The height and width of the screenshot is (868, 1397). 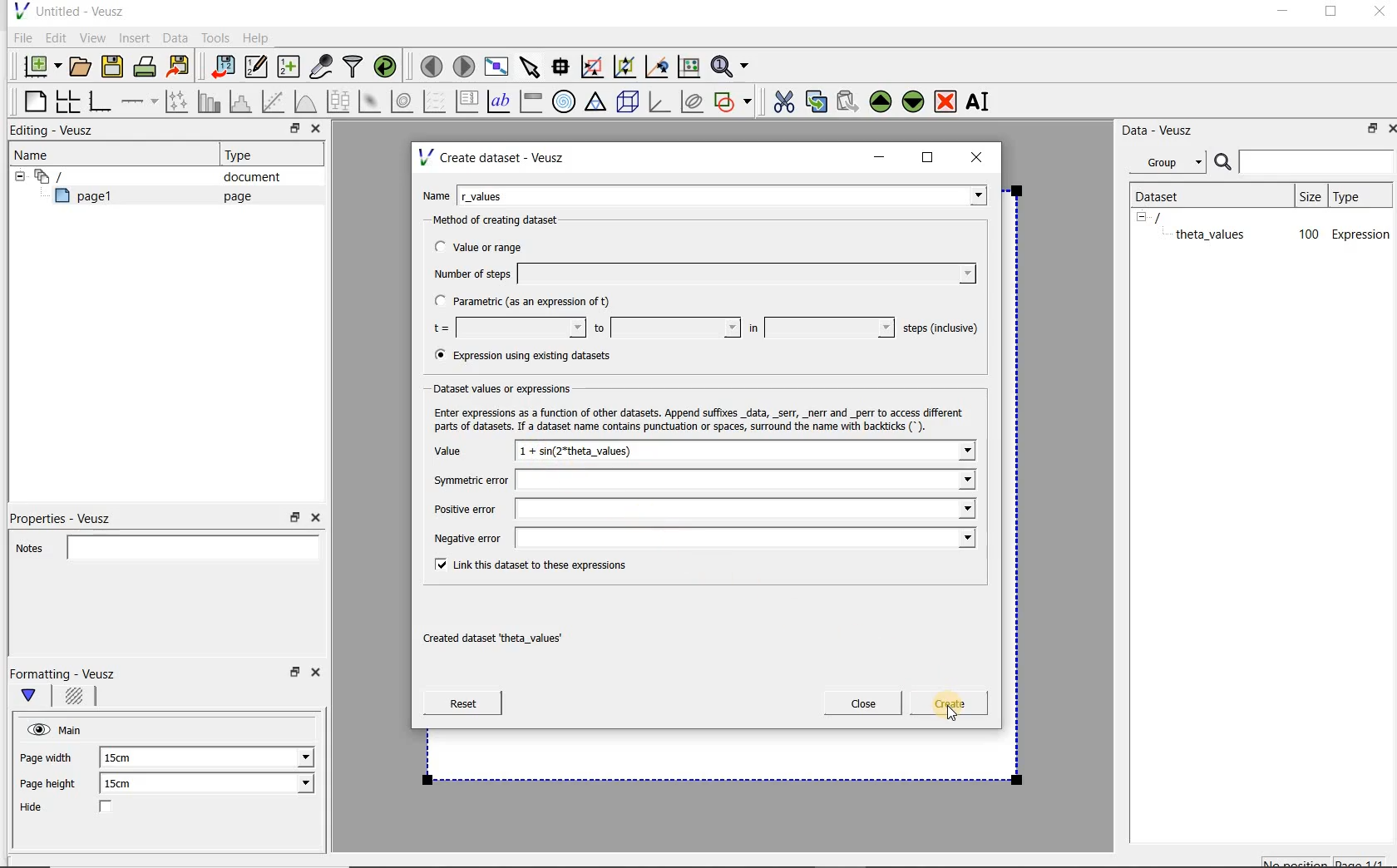 I want to click on cut the selected widget, so click(x=781, y=100).